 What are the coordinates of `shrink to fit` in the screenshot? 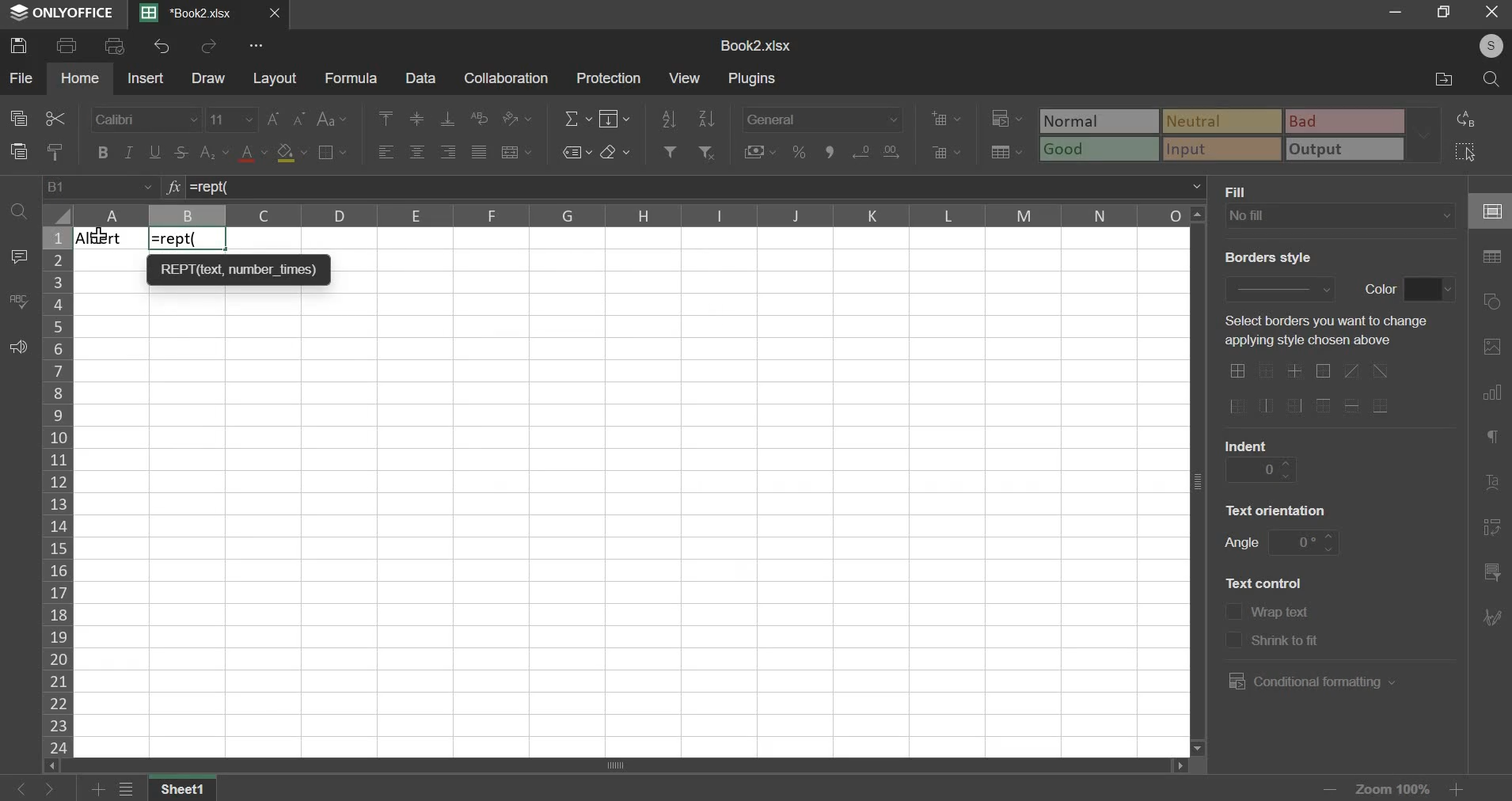 It's located at (1276, 641).